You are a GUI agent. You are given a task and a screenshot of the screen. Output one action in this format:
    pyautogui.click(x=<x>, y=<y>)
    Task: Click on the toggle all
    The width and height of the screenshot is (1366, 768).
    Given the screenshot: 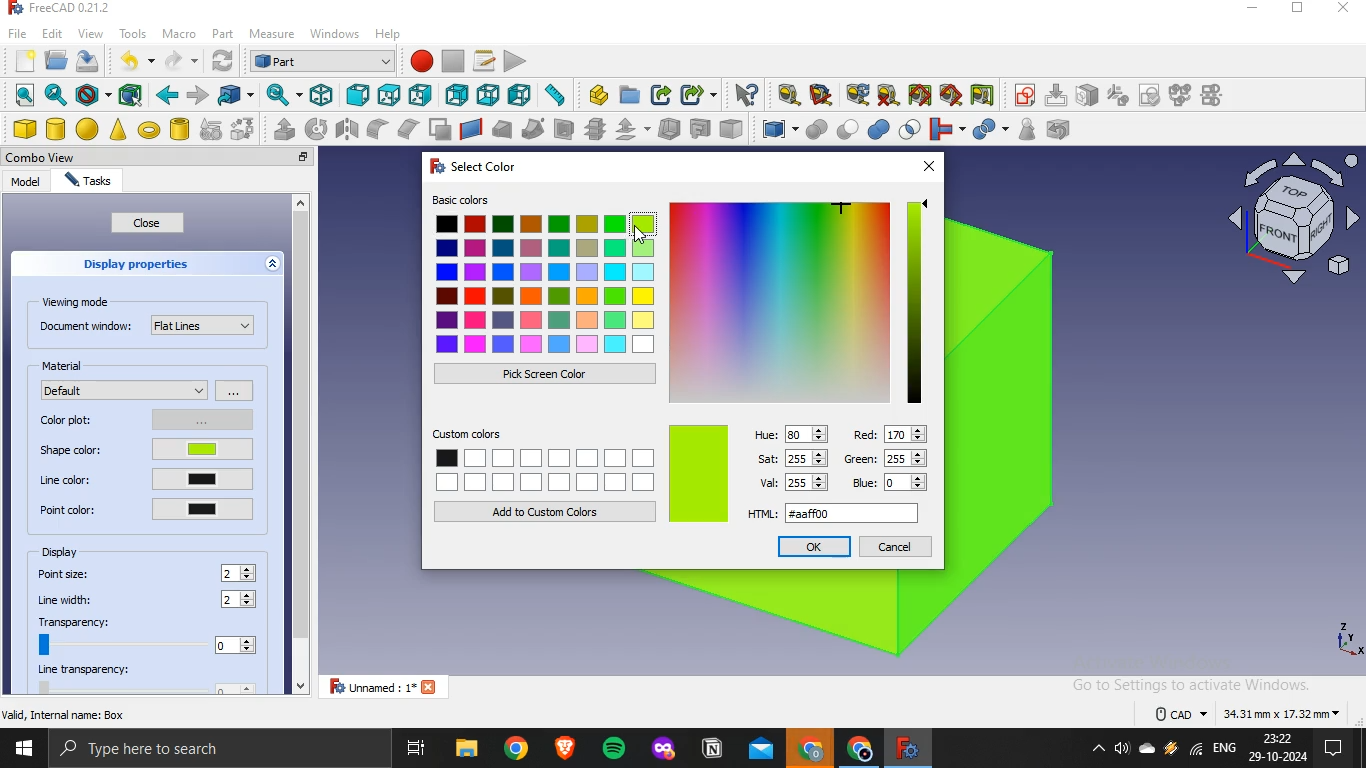 What is the action you would take?
    pyautogui.click(x=919, y=95)
    